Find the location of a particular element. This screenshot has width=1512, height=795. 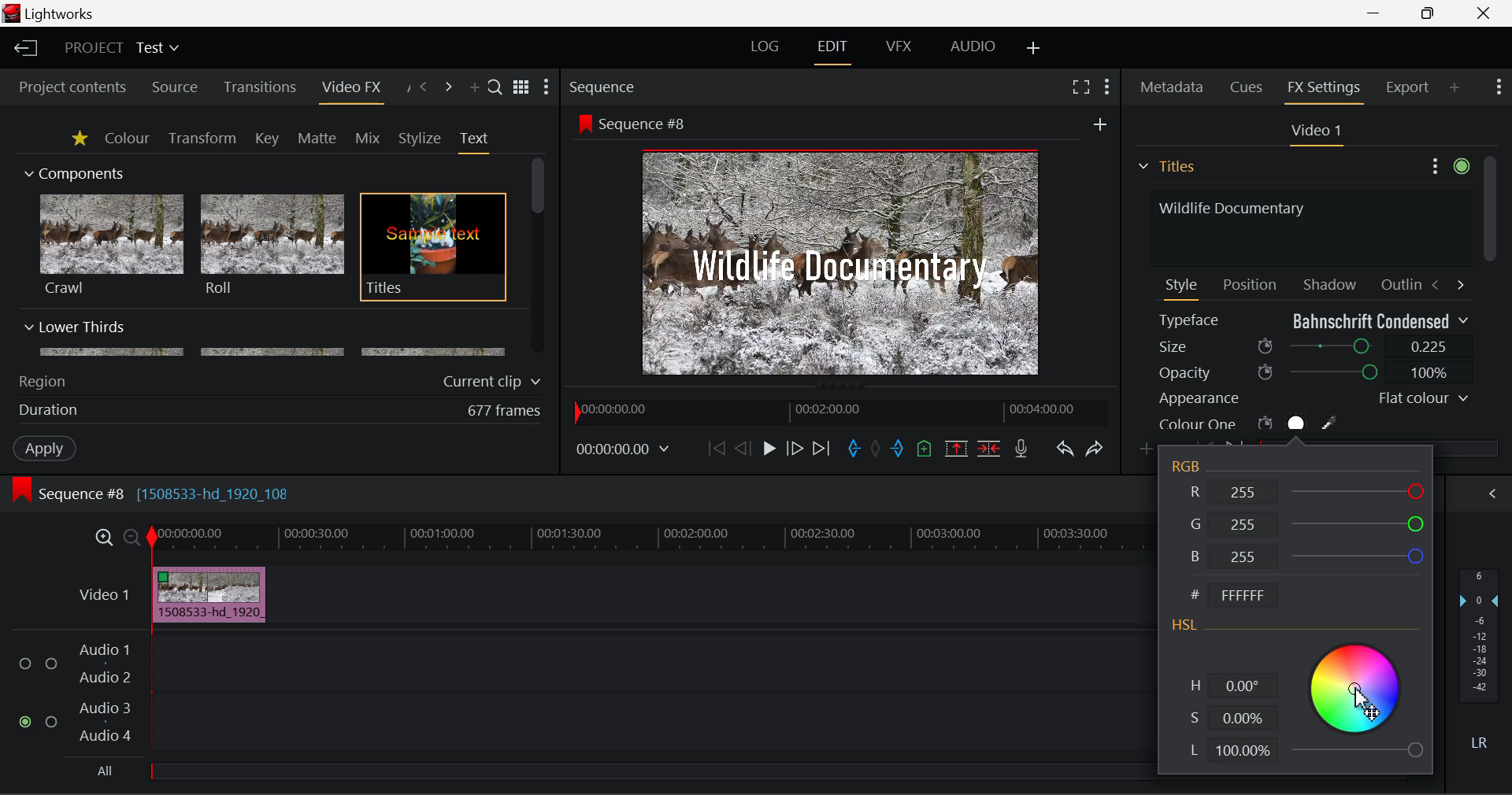

Audio 1 is located at coordinates (102, 652).